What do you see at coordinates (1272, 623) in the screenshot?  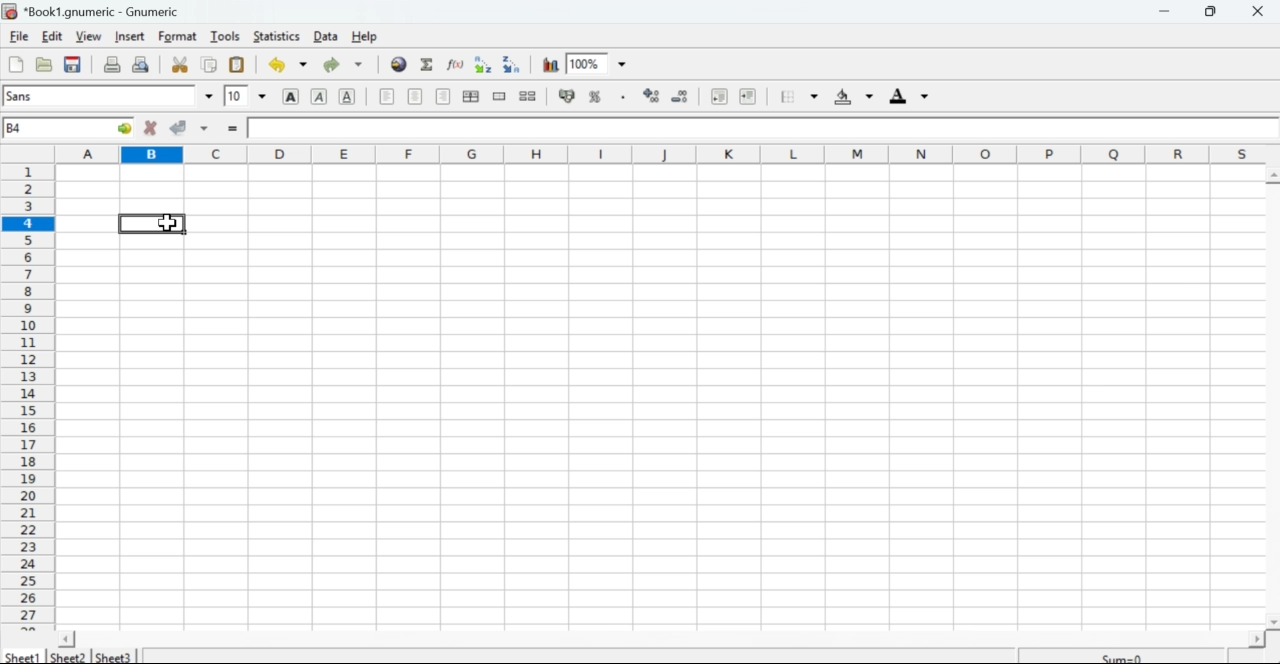 I see `scroll down` at bounding box center [1272, 623].